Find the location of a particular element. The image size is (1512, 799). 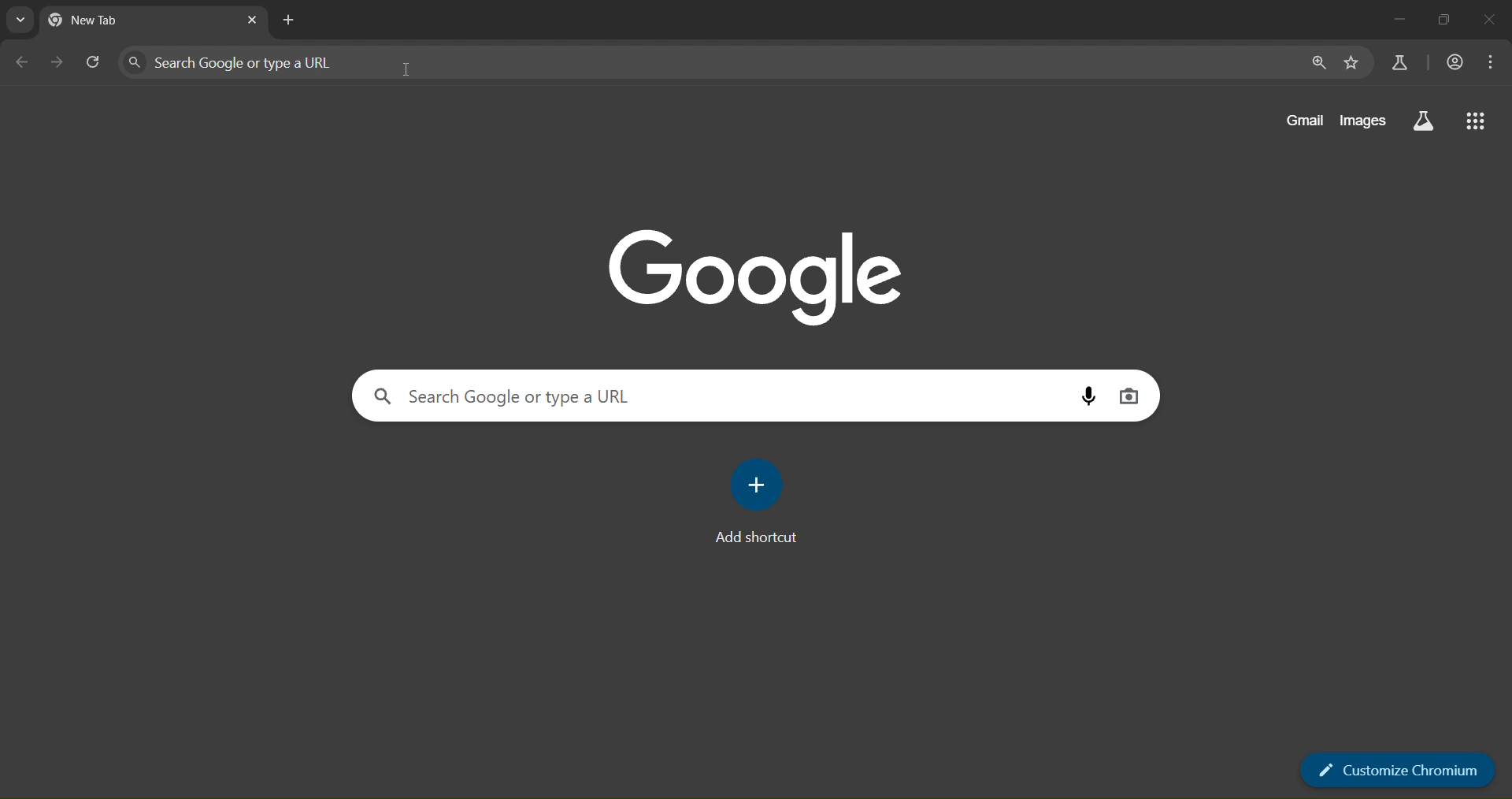

current tab is located at coordinates (112, 22).